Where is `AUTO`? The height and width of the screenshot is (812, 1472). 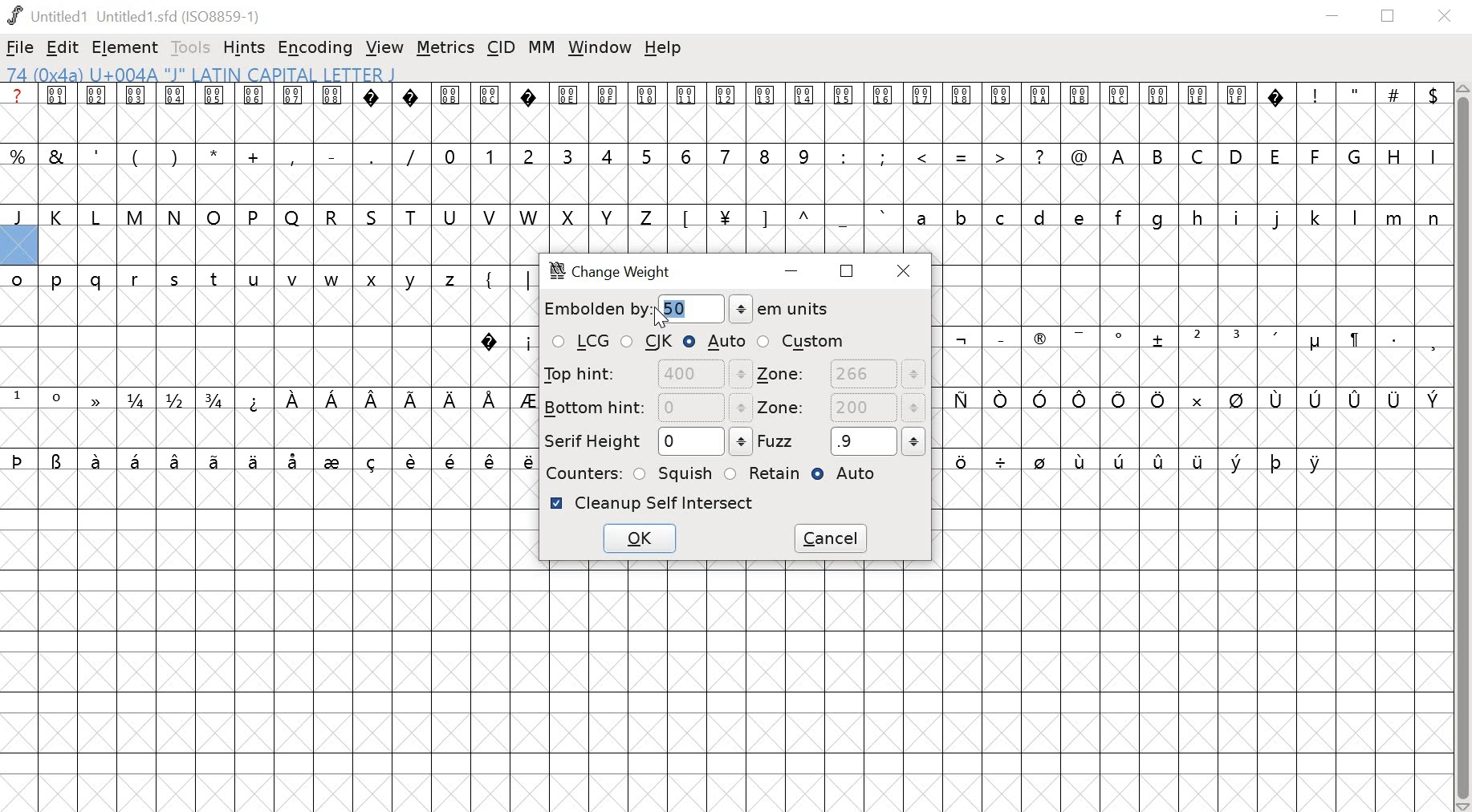
AUTO is located at coordinates (715, 341).